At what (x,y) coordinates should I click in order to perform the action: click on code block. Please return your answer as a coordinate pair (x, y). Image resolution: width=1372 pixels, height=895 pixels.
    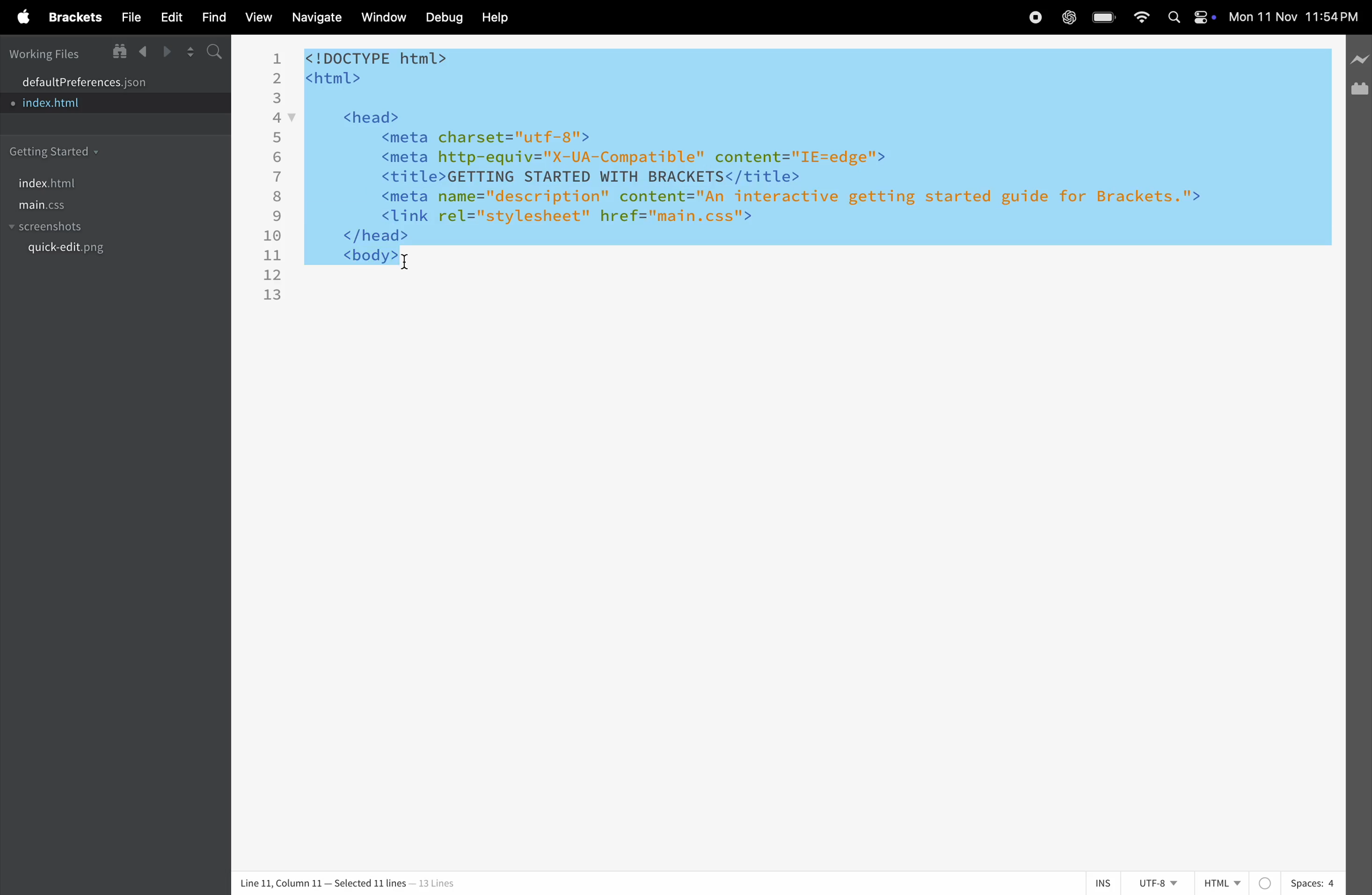
    Looking at the image, I should click on (787, 174).